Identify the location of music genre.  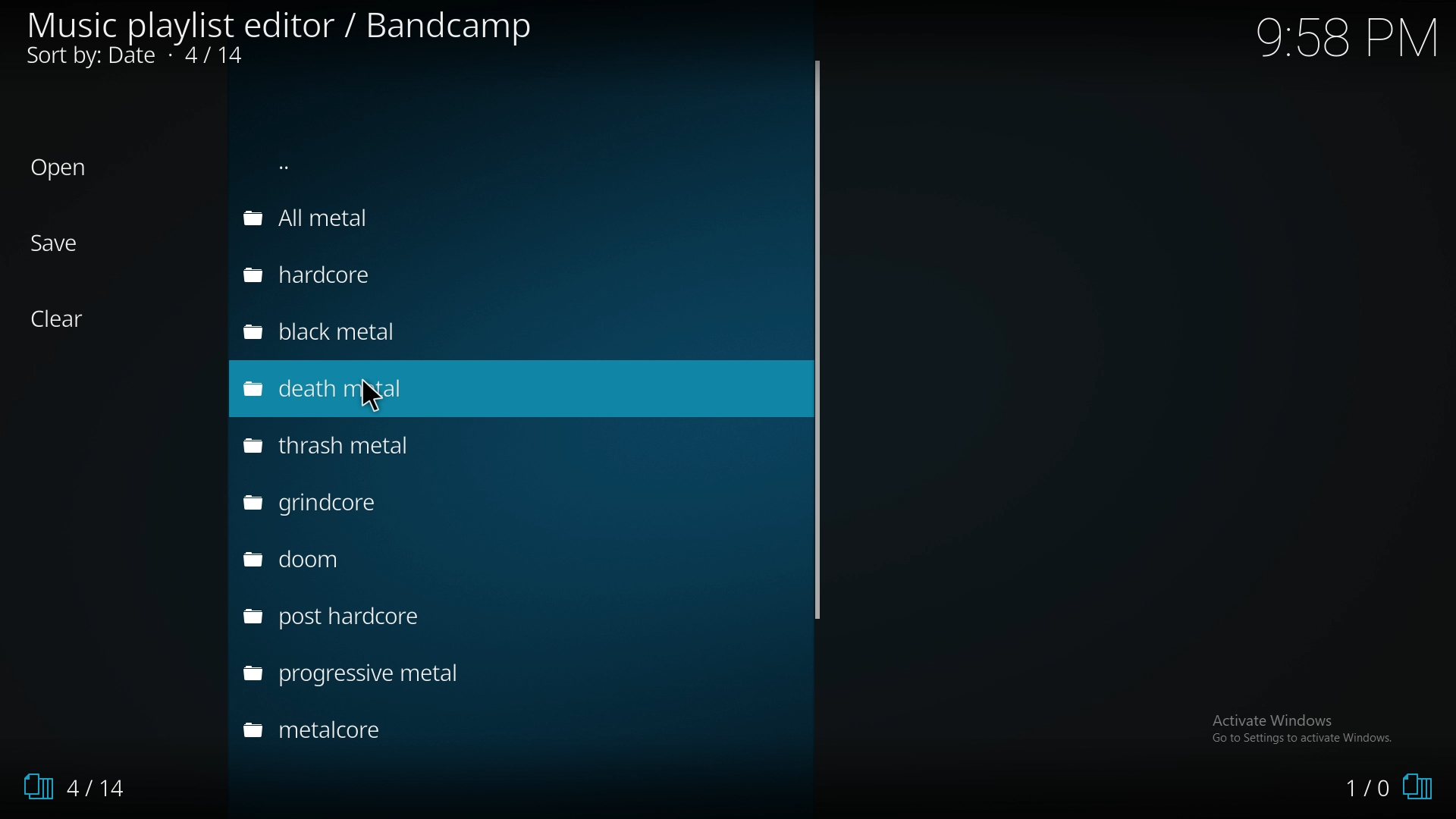
(357, 447).